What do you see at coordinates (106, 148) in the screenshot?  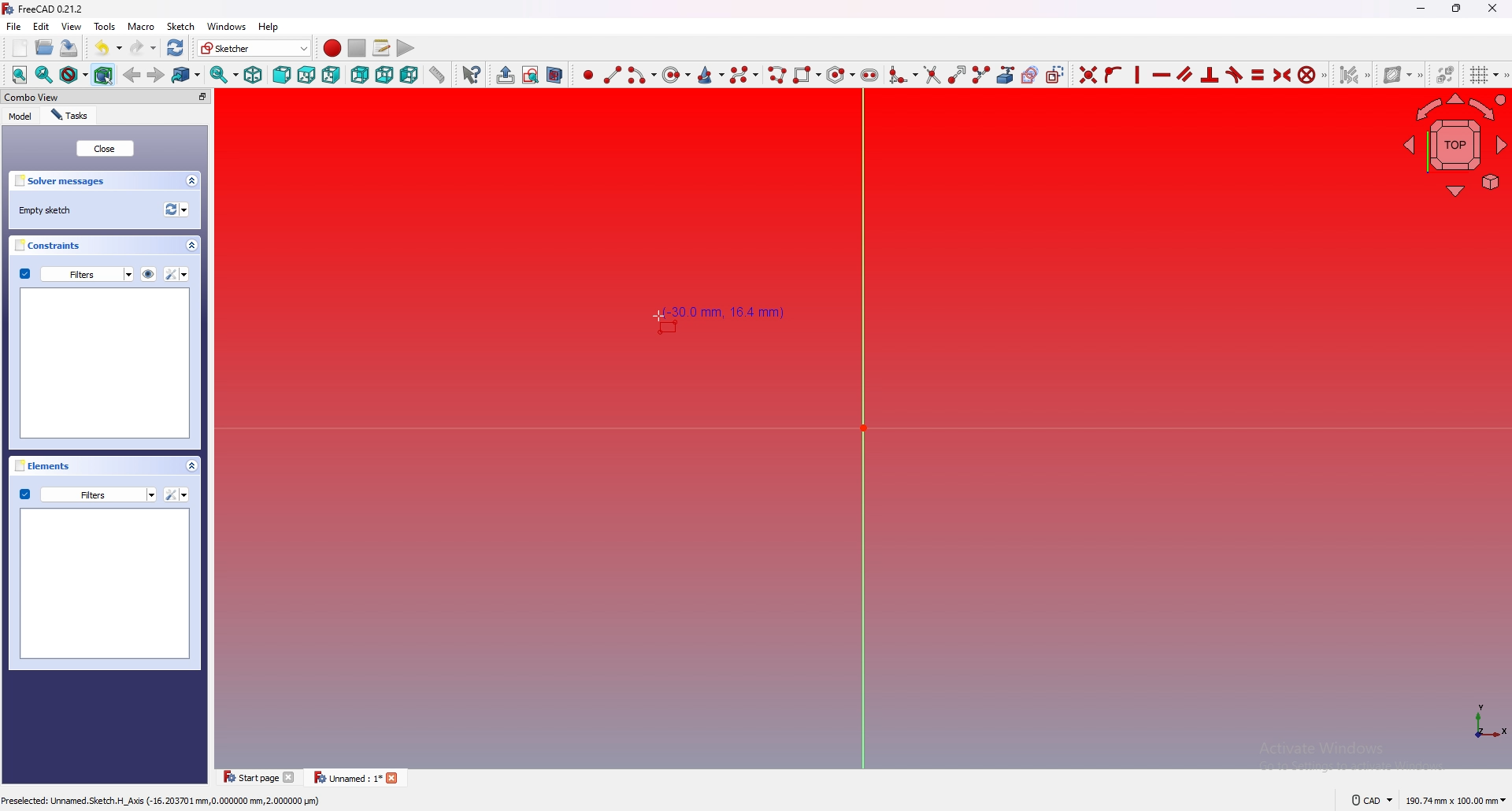 I see `close` at bounding box center [106, 148].